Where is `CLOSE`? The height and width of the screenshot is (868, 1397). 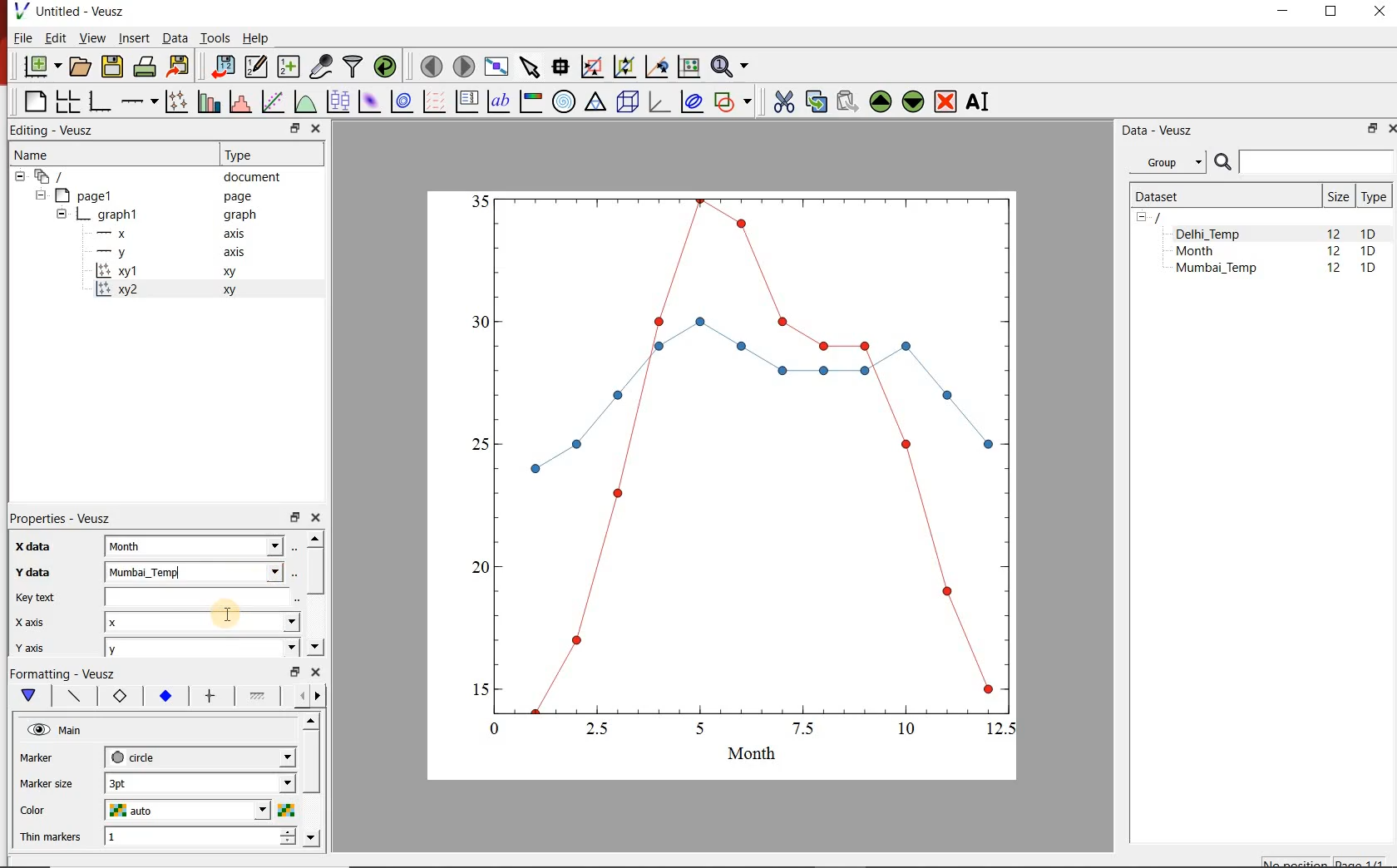 CLOSE is located at coordinates (1377, 11).